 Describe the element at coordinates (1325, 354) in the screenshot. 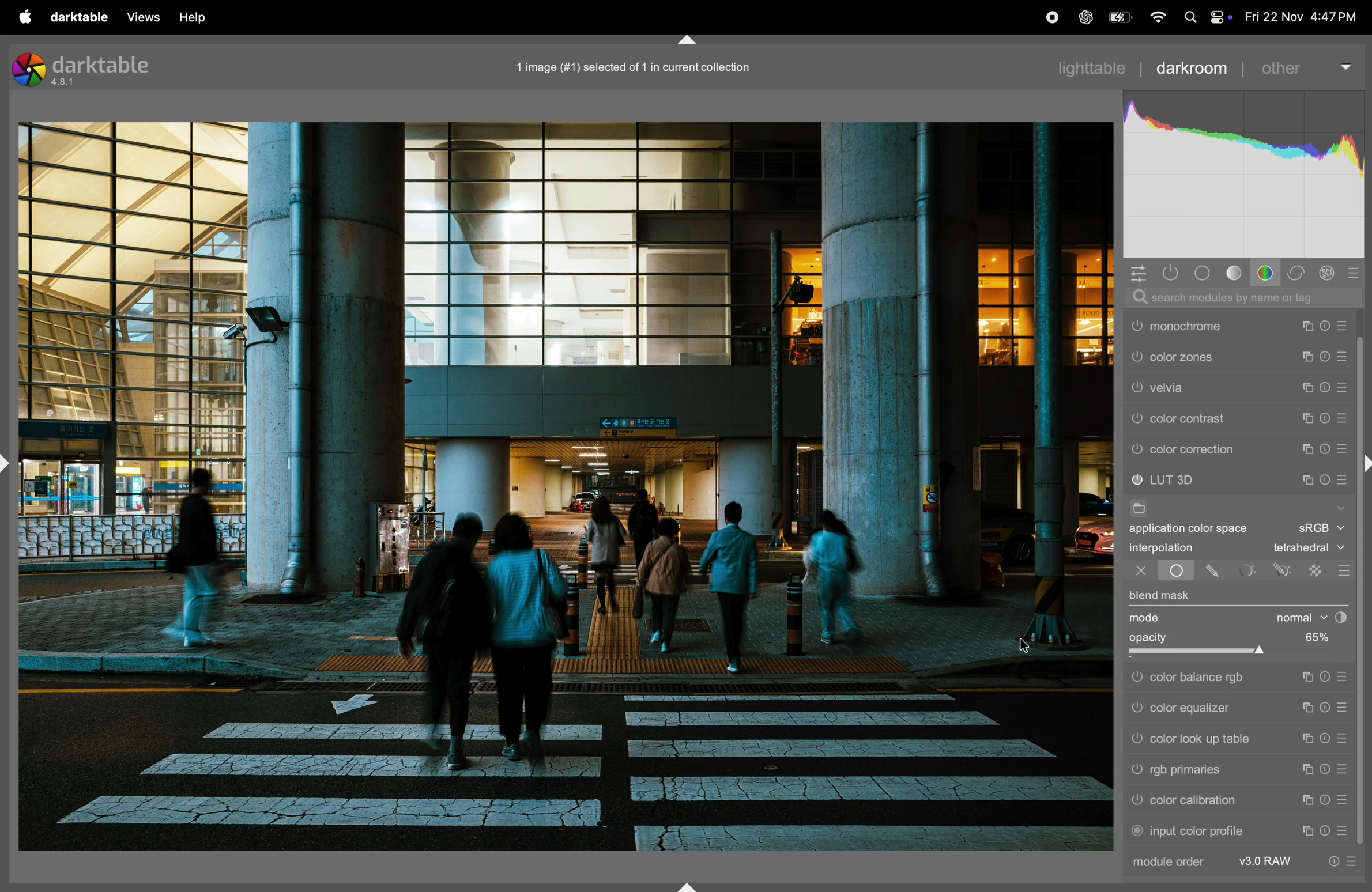

I see `reset` at that location.